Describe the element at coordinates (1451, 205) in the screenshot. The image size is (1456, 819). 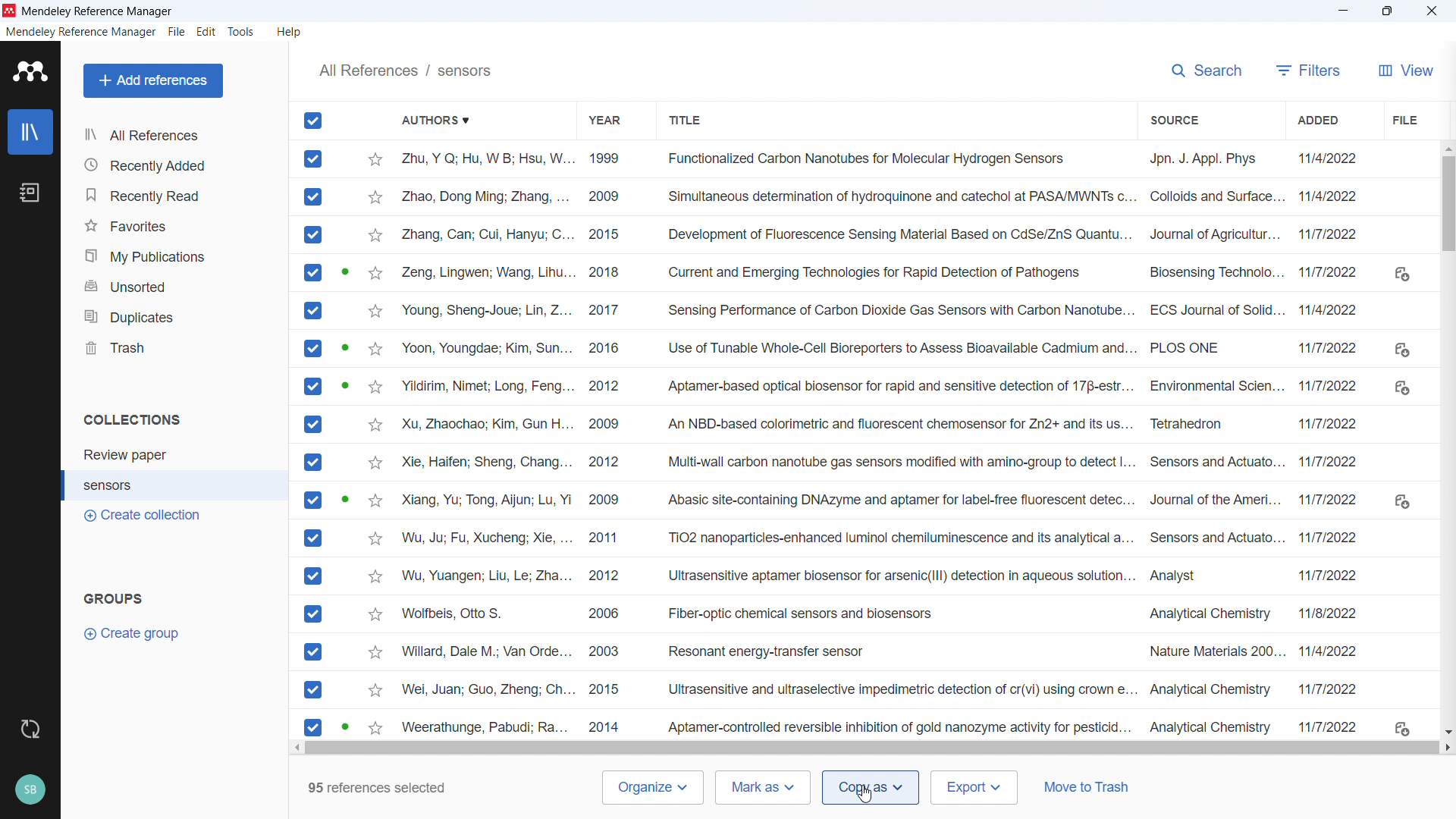
I see `Vertical scroll bar ` at that location.